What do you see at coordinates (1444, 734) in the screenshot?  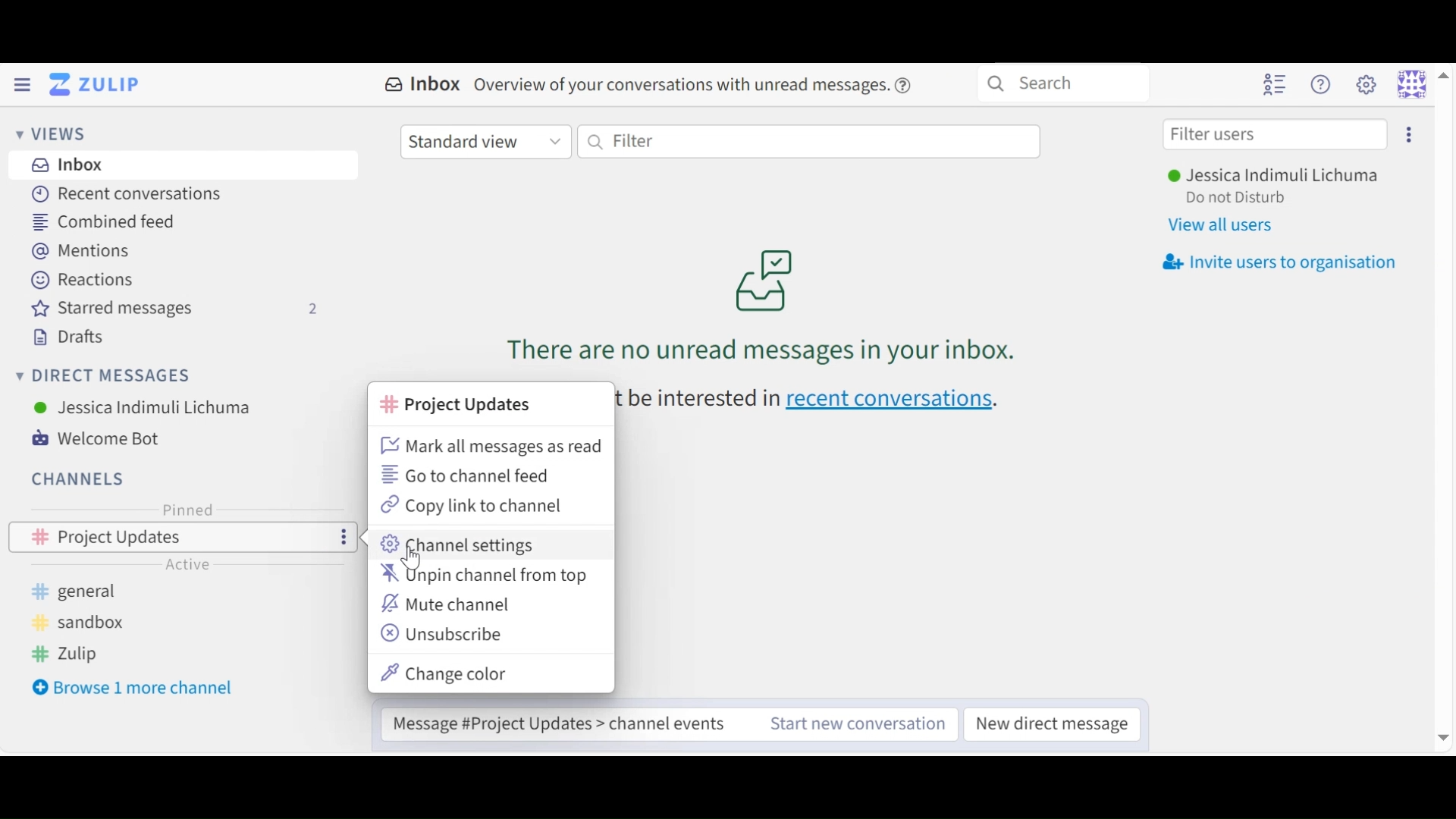 I see `Down` at bounding box center [1444, 734].